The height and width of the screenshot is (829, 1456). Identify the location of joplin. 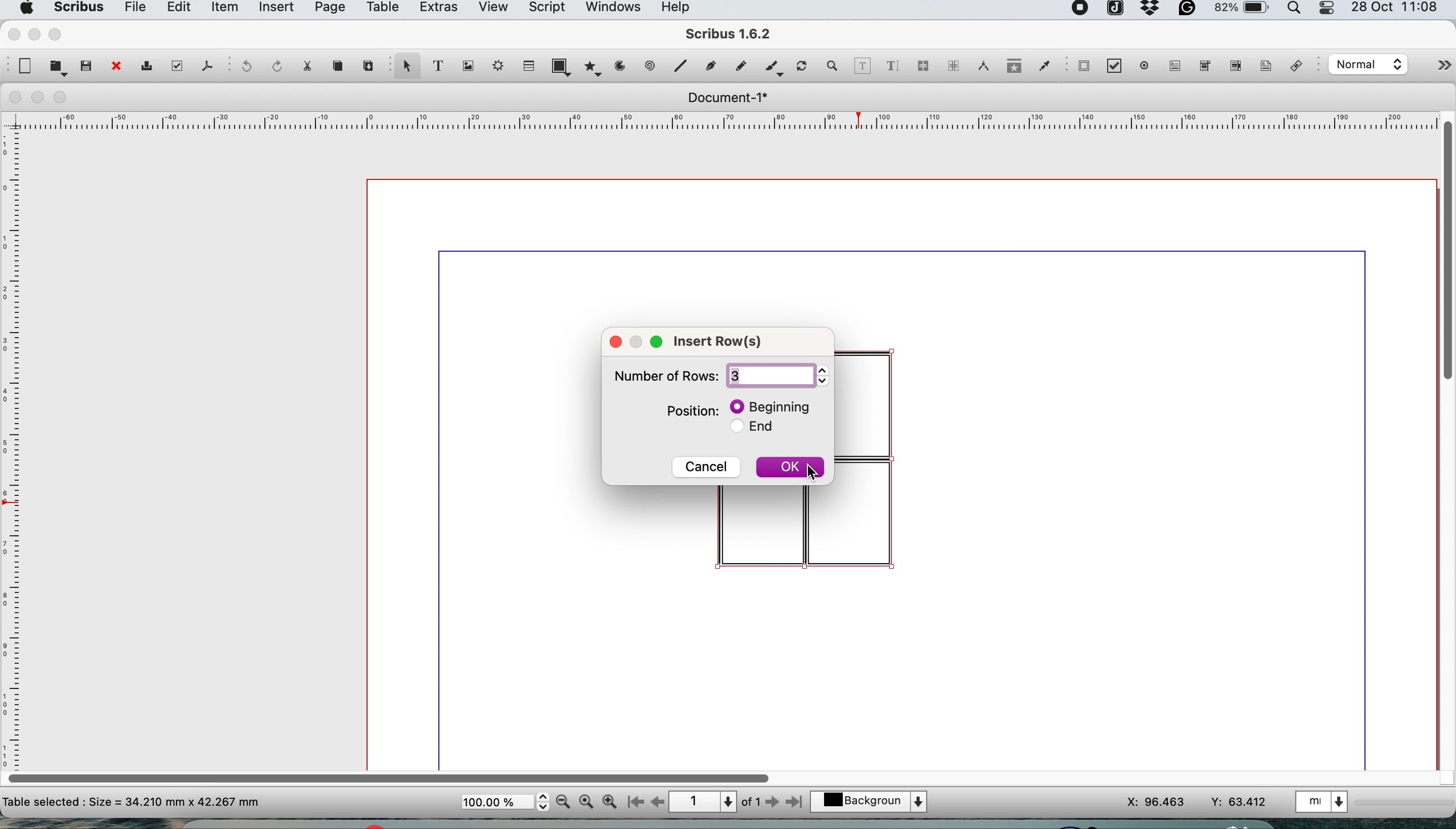
(1114, 10).